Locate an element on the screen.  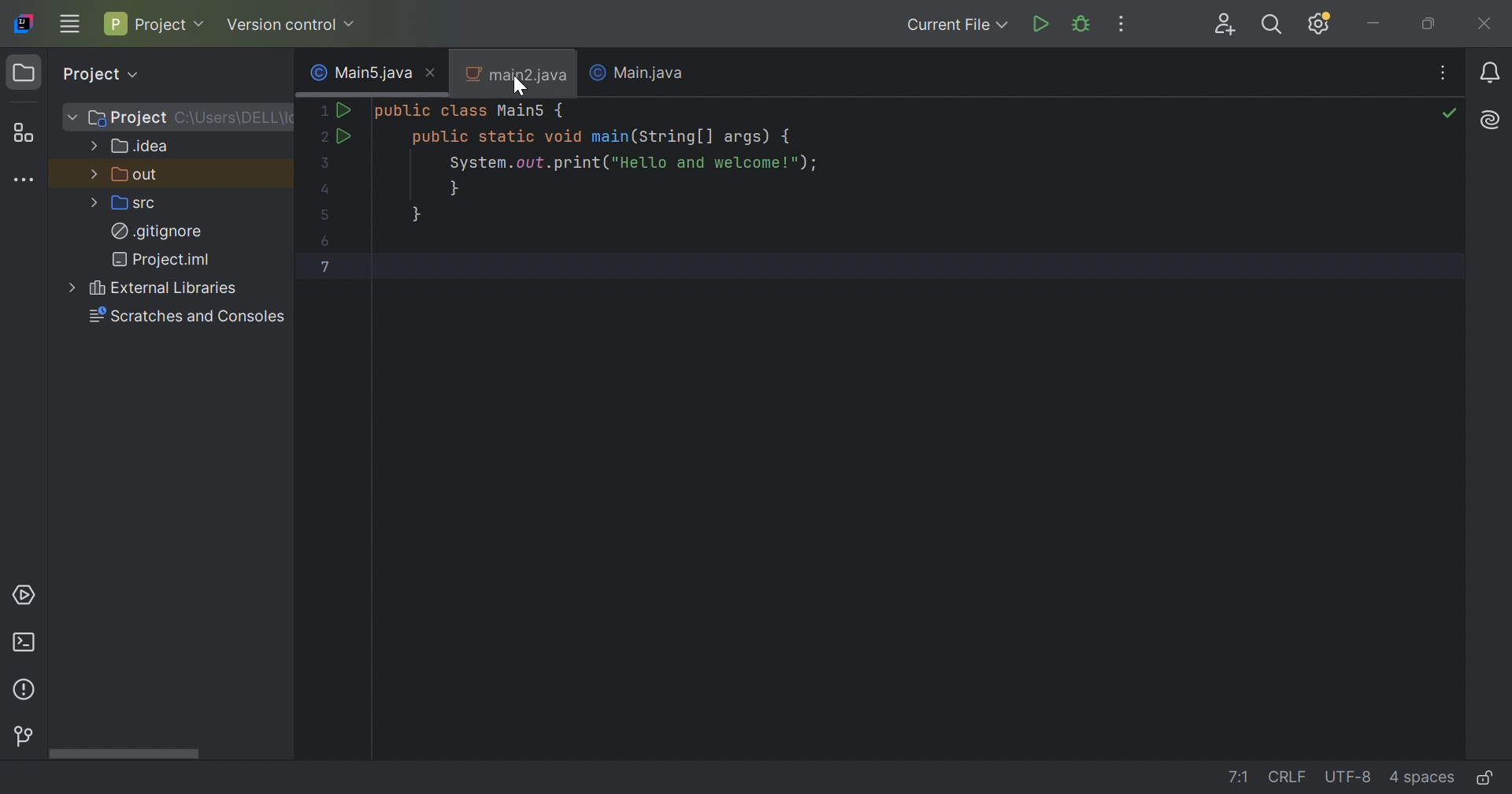
Main.java is located at coordinates (654, 72).